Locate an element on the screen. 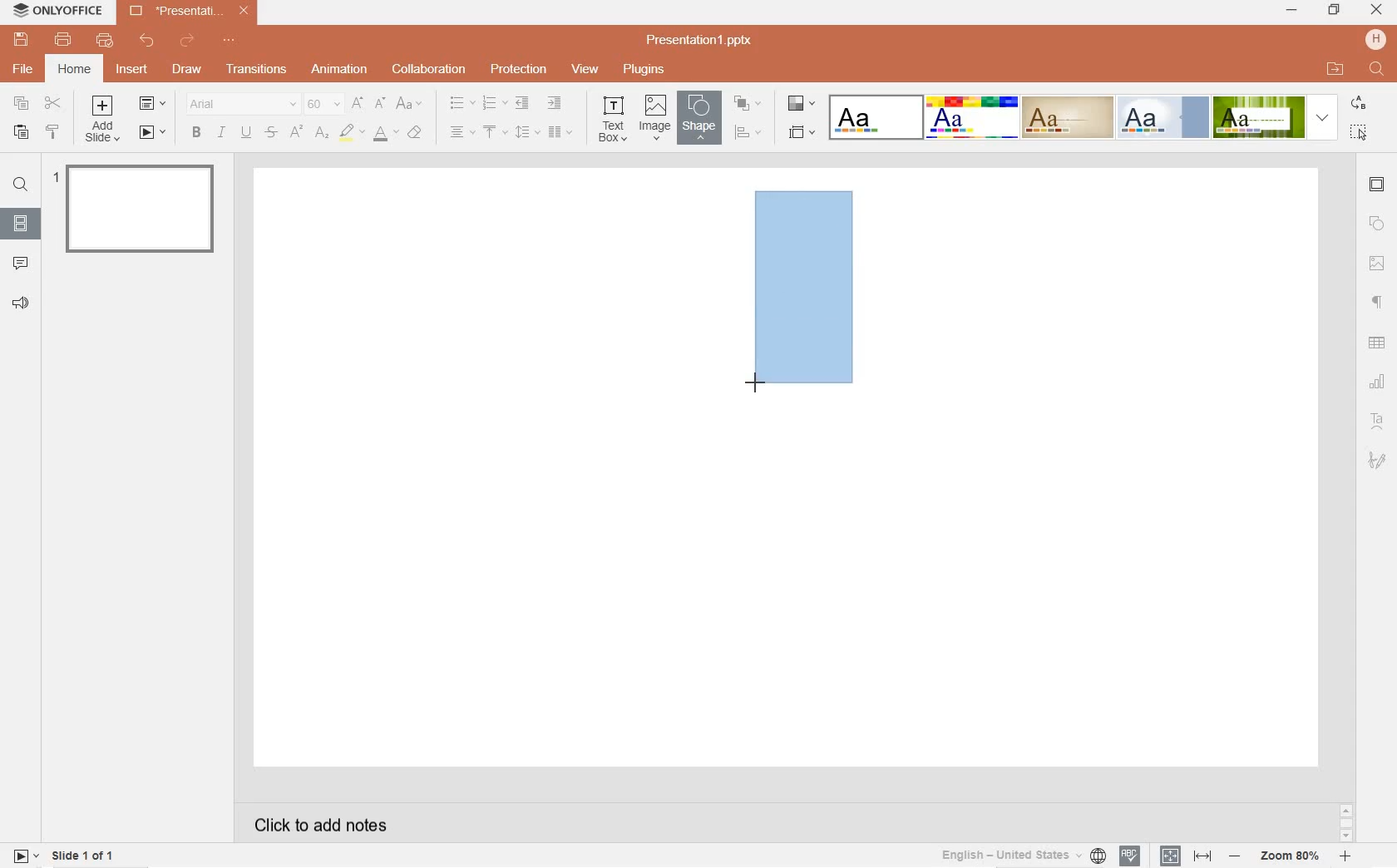 The image size is (1397, 868). protection is located at coordinates (518, 71).